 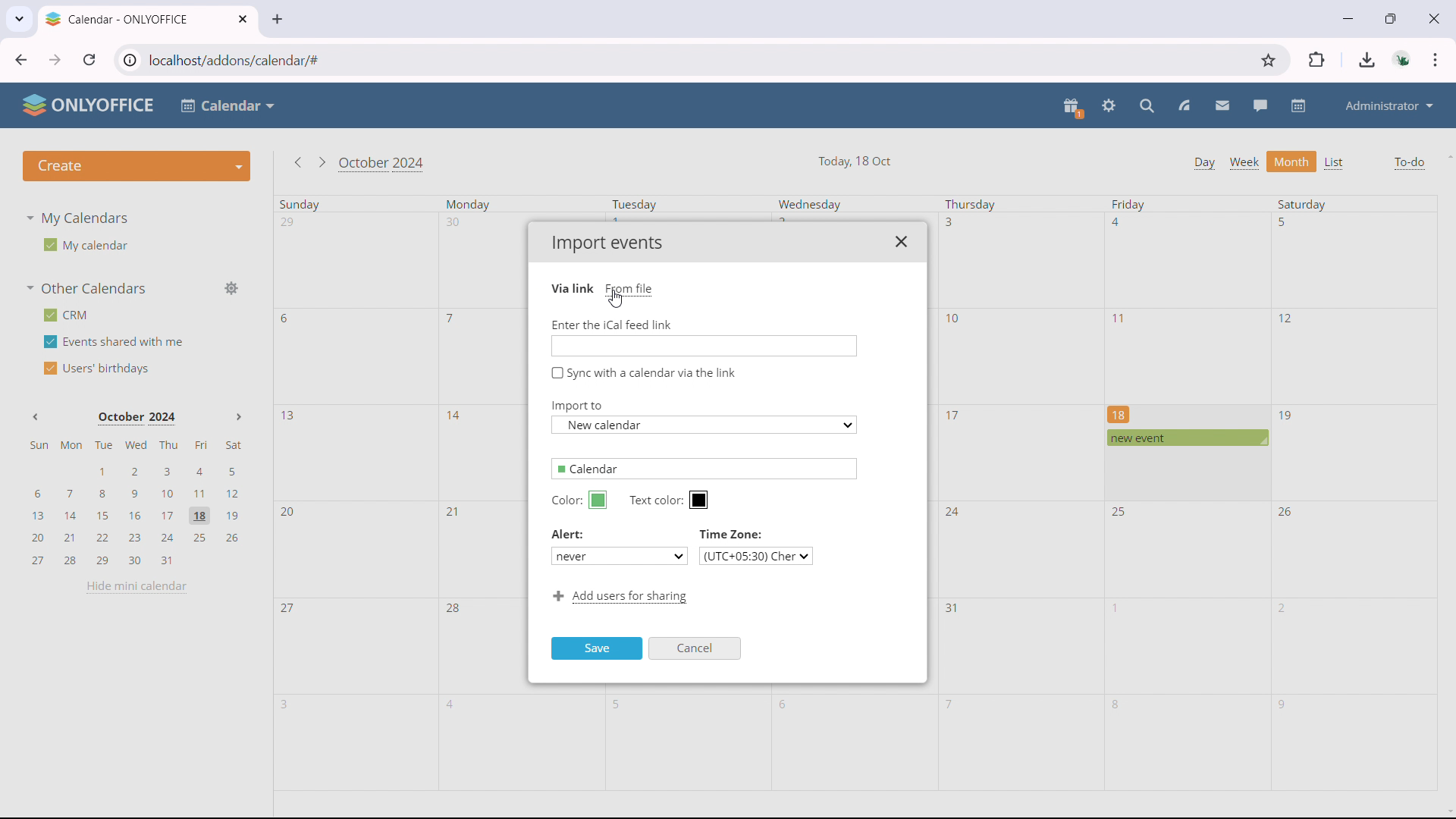 I want to click on 25, so click(x=1122, y=512).